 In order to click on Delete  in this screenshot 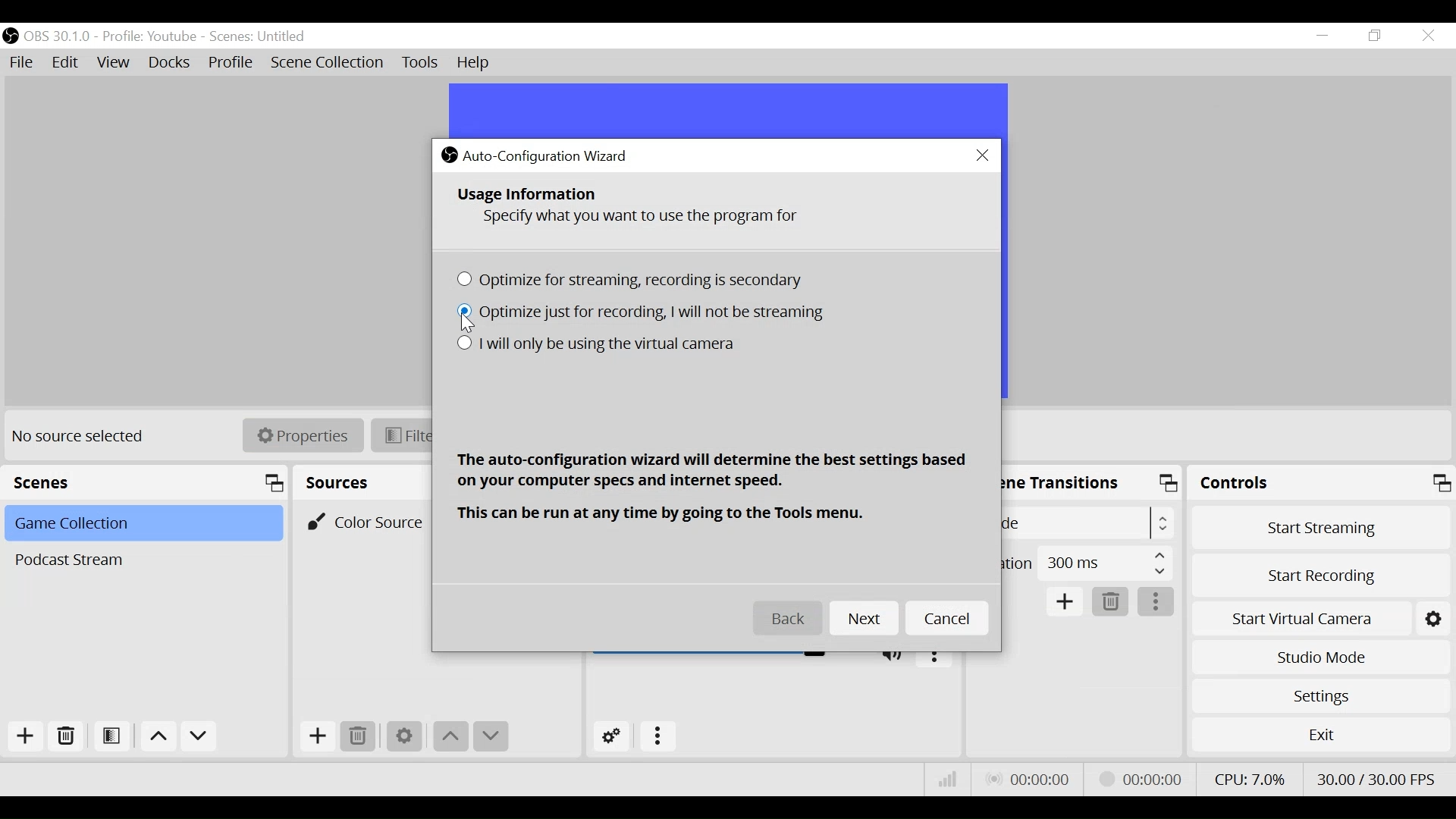, I will do `click(1112, 602)`.